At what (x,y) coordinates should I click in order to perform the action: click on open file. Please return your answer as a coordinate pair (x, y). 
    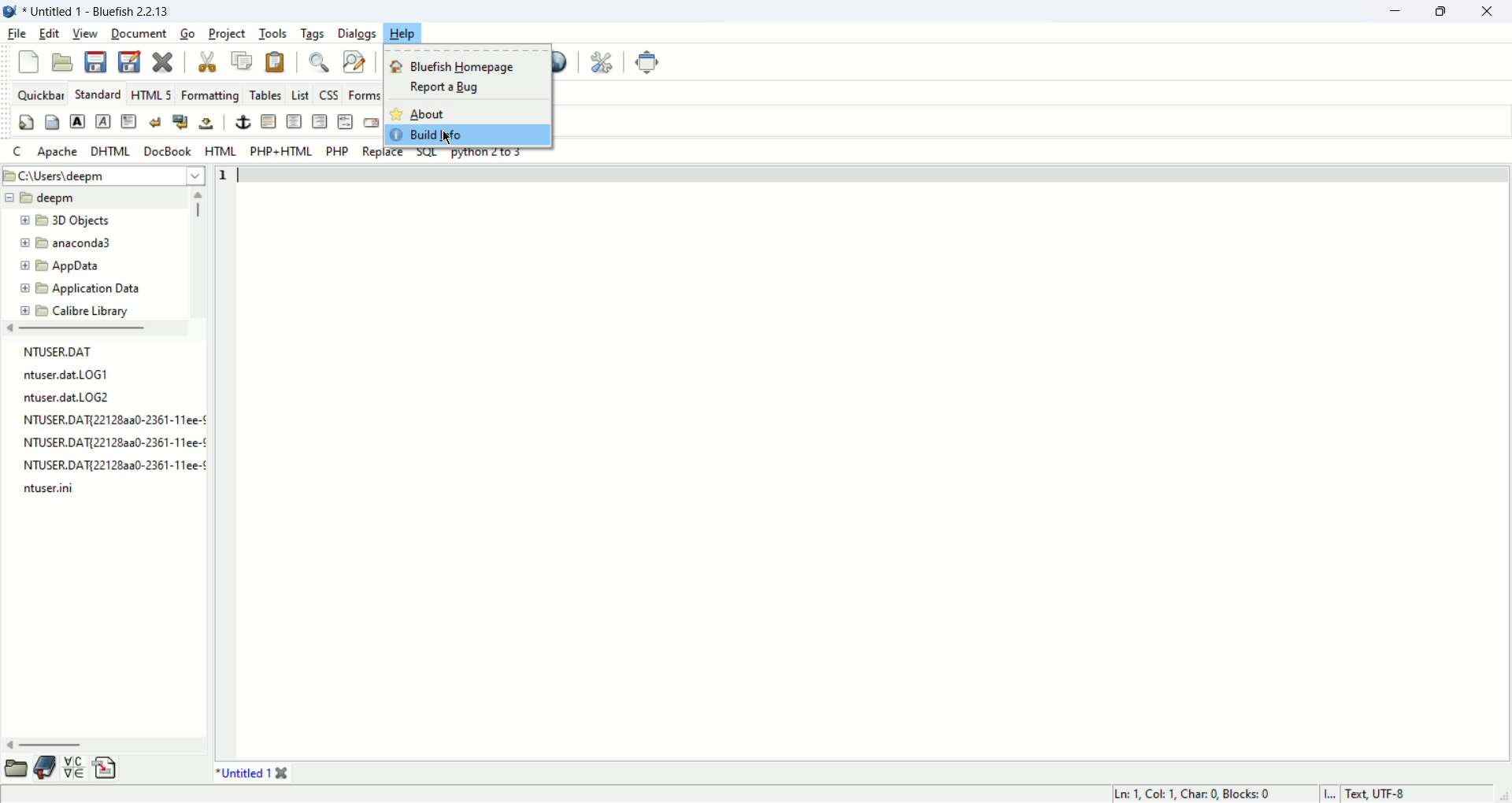
    Looking at the image, I should click on (62, 63).